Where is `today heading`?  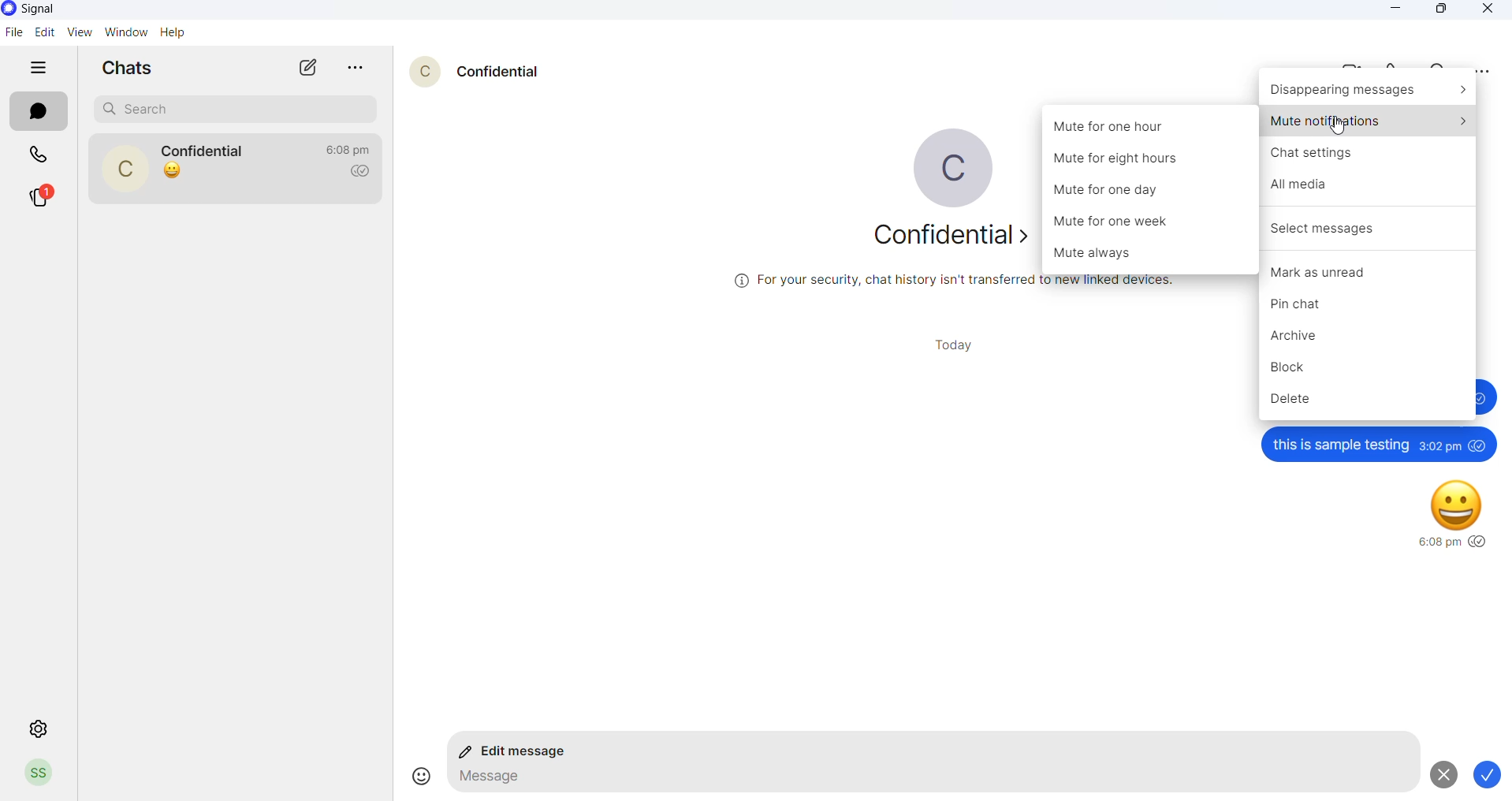 today heading is located at coordinates (959, 345).